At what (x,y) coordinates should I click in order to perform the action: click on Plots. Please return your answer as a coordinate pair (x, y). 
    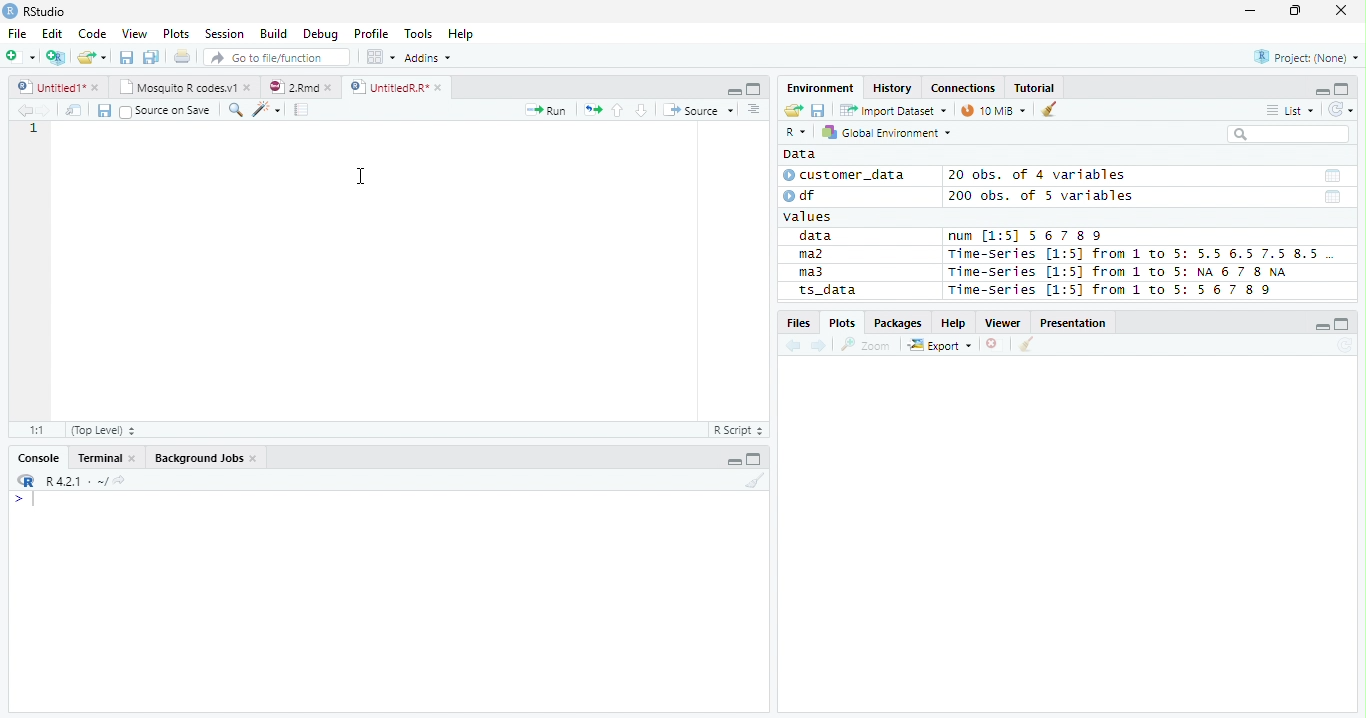
    Looking at the image, I should click on (842, 322).